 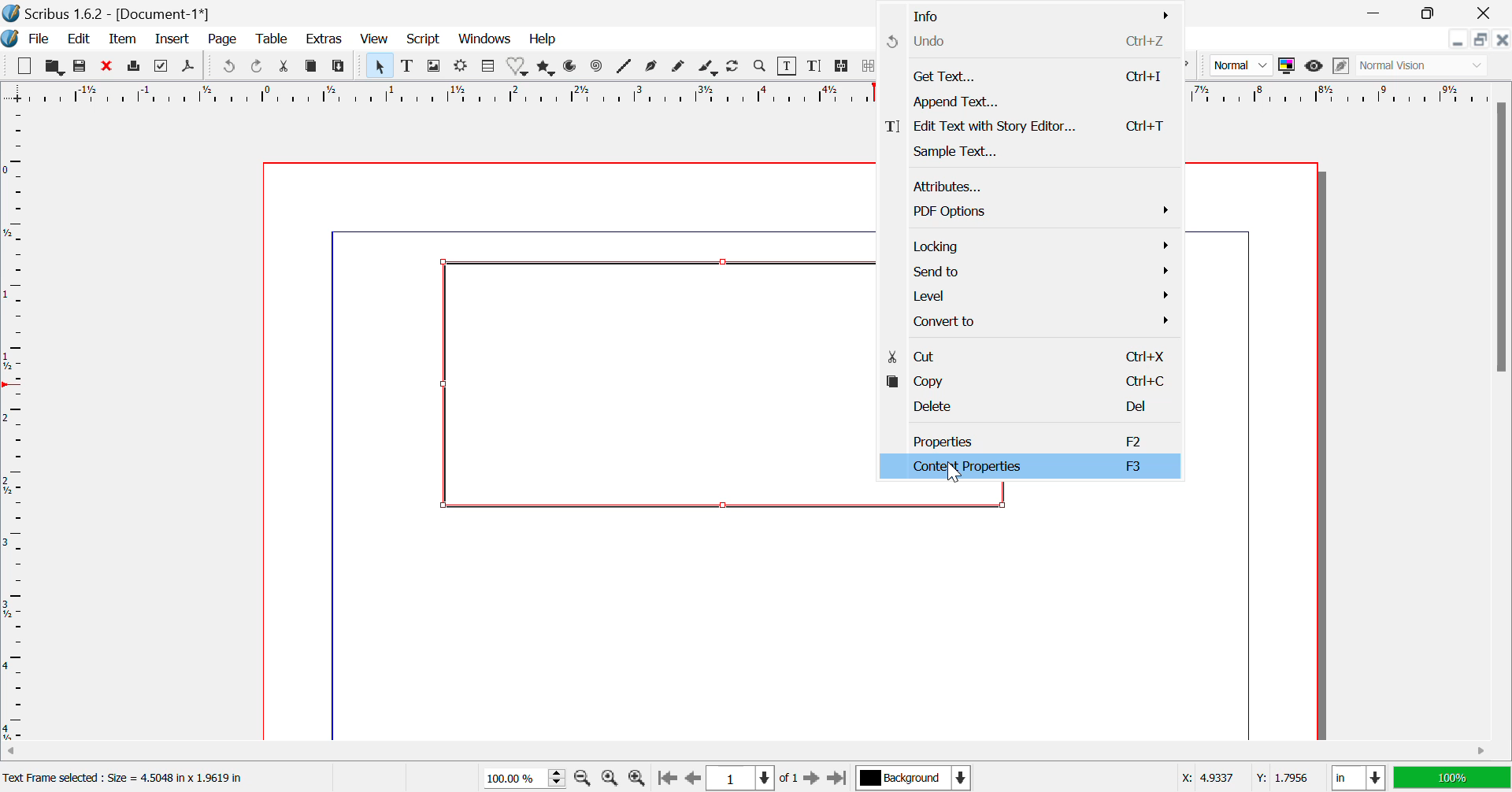 What do you see at coordinates (107, 66) in the screenshot?
I see `Discard` at bounding box center [107, 66].